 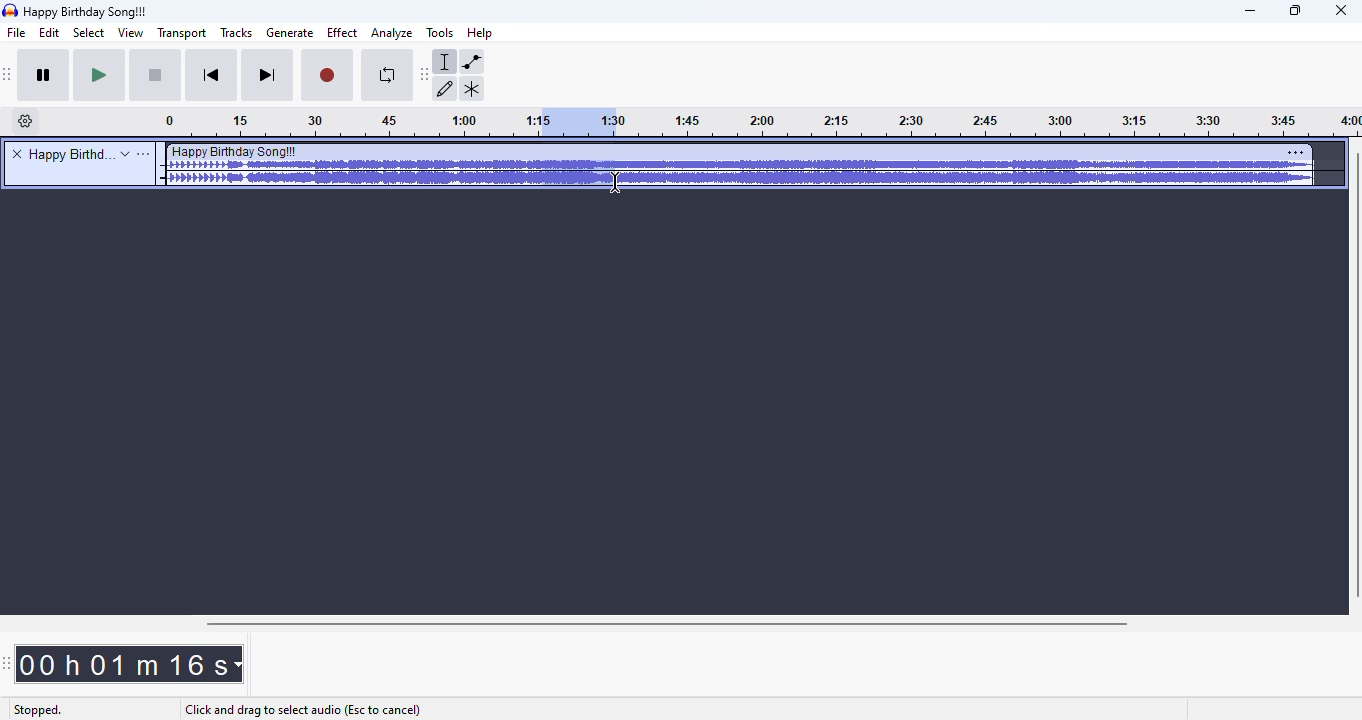 What do you see at coordinates (47, 77) in the screenshot?
I see `pause` at bounding box center [47, 77].